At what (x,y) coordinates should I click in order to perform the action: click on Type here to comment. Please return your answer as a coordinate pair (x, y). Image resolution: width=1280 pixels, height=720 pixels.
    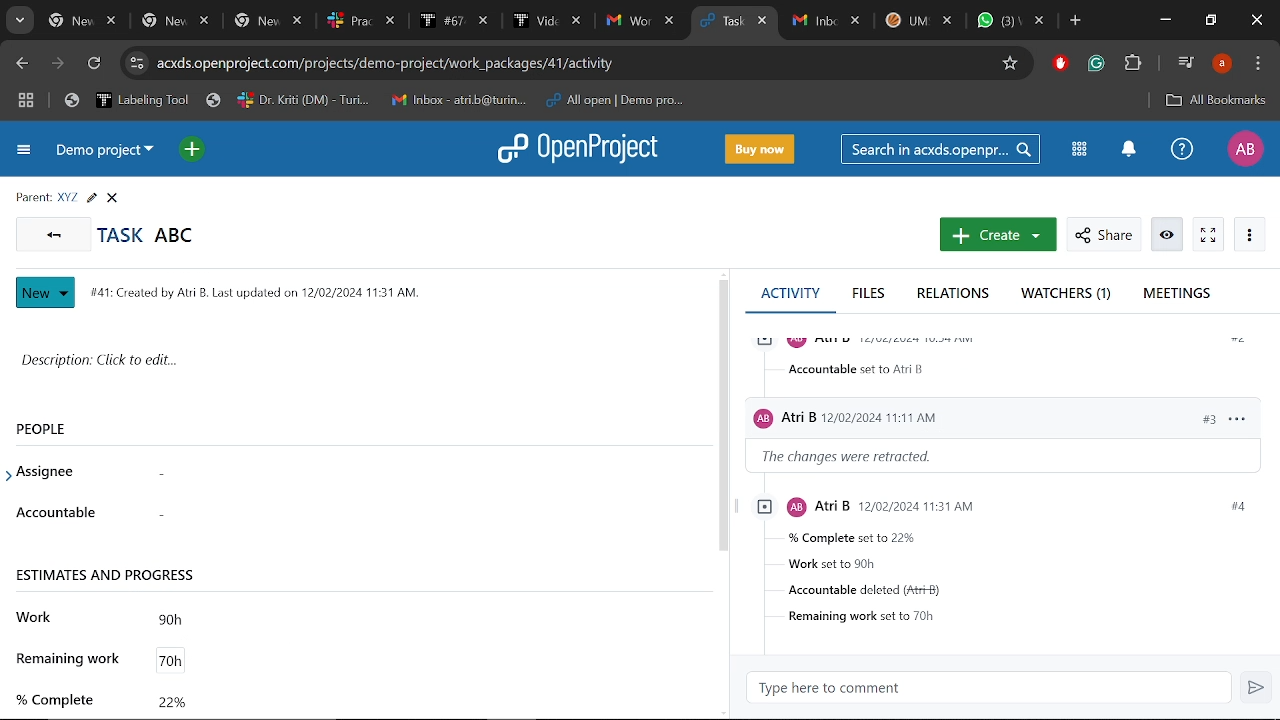
    Looking at the image, I should click on (995, 688).